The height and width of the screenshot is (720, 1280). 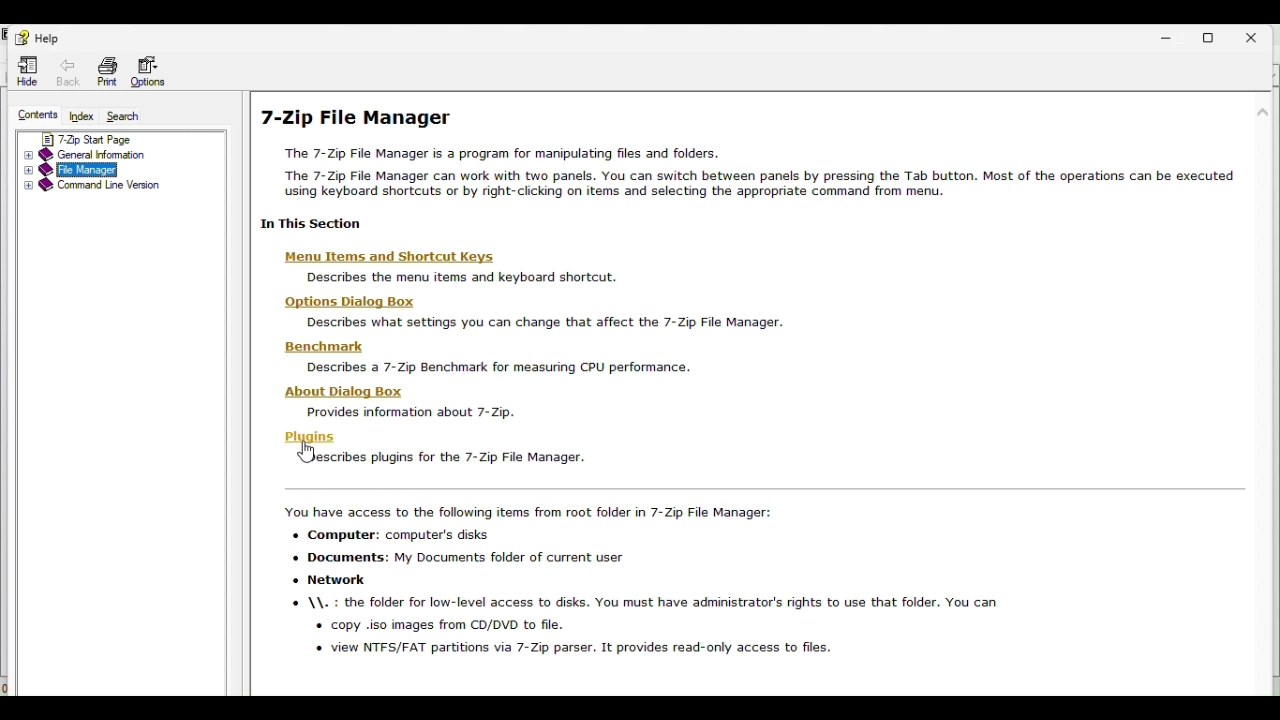 What do you see at coordinates (343, 393) in the screenshot?
I see `‘About Dialog Box` at bounding box center [343, 393].